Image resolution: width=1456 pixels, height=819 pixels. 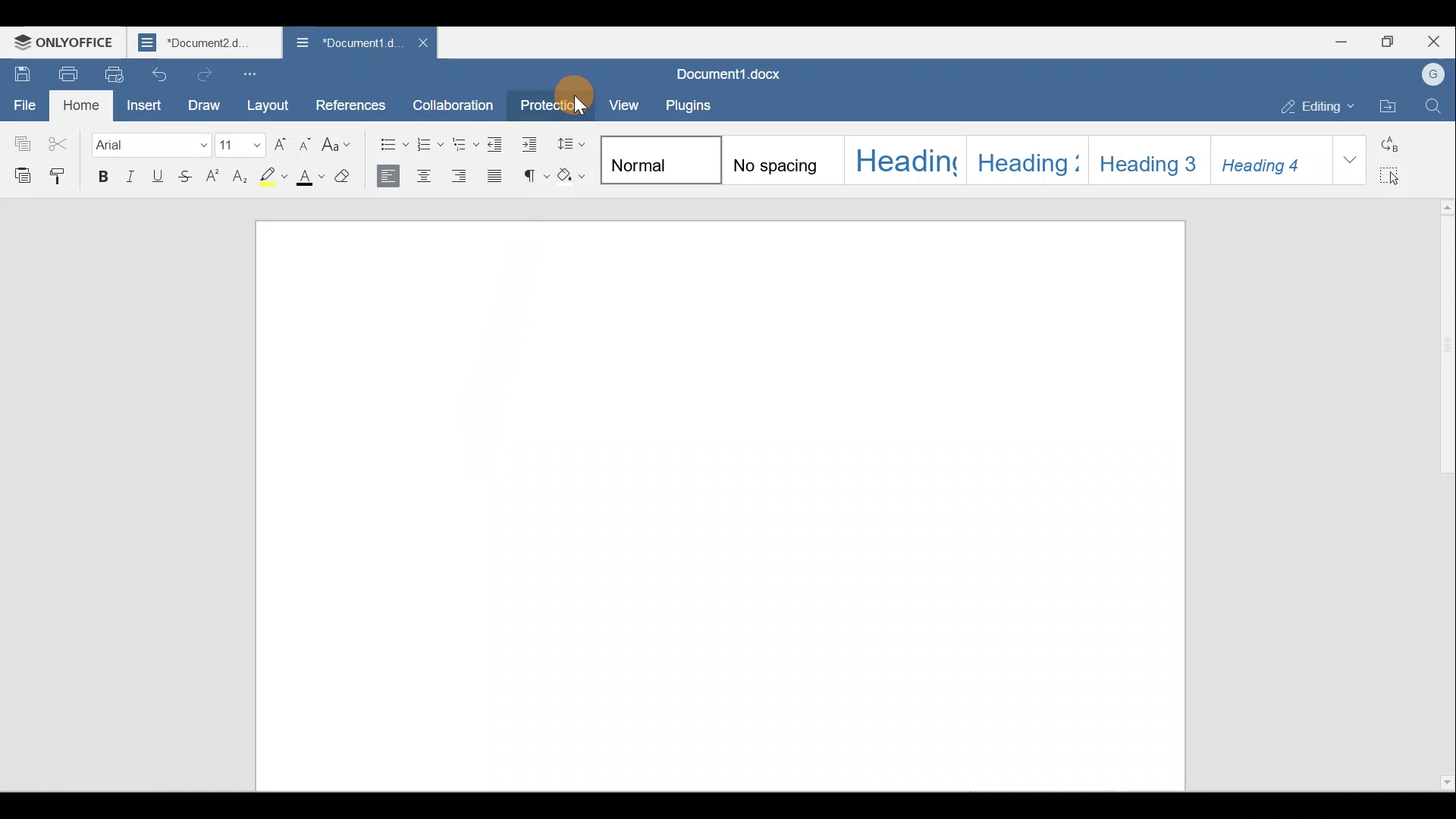 What do you see at coordinates (1148, 159) in the screenshot?
I see `Style 5` at bounding box center [1148, 159].